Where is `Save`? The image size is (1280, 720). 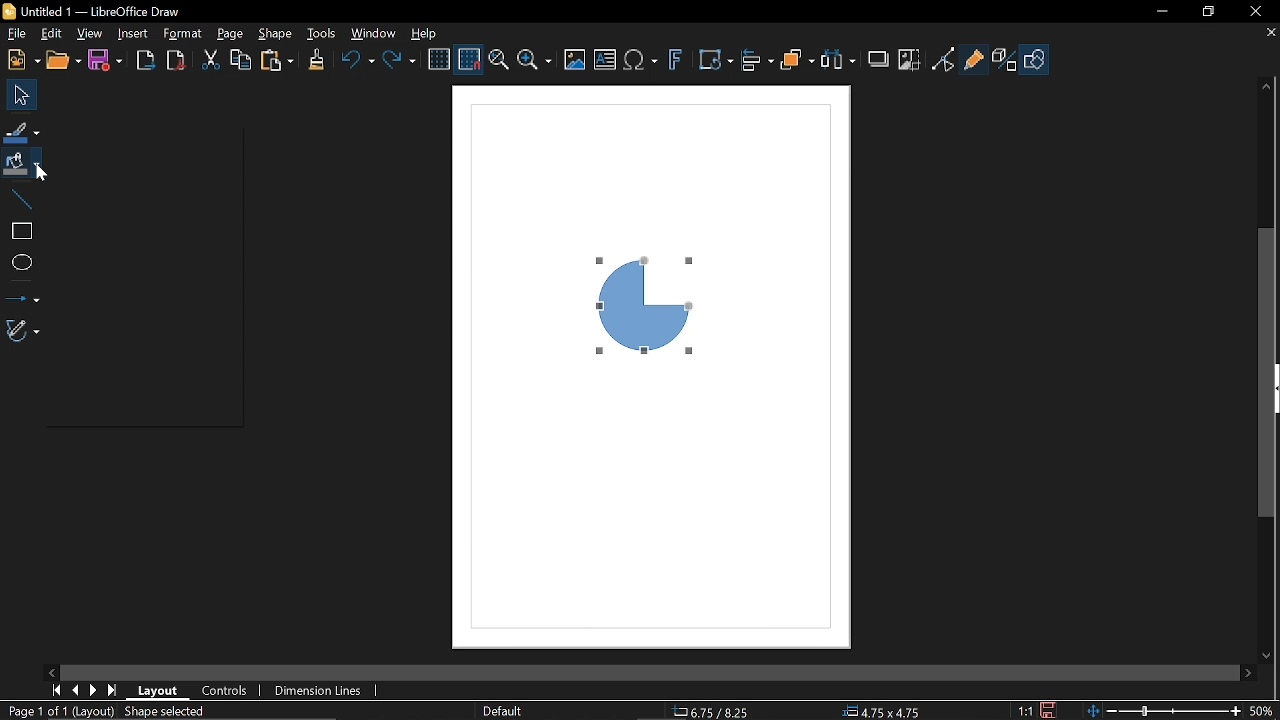 Save is located at coordinates (107, 59).